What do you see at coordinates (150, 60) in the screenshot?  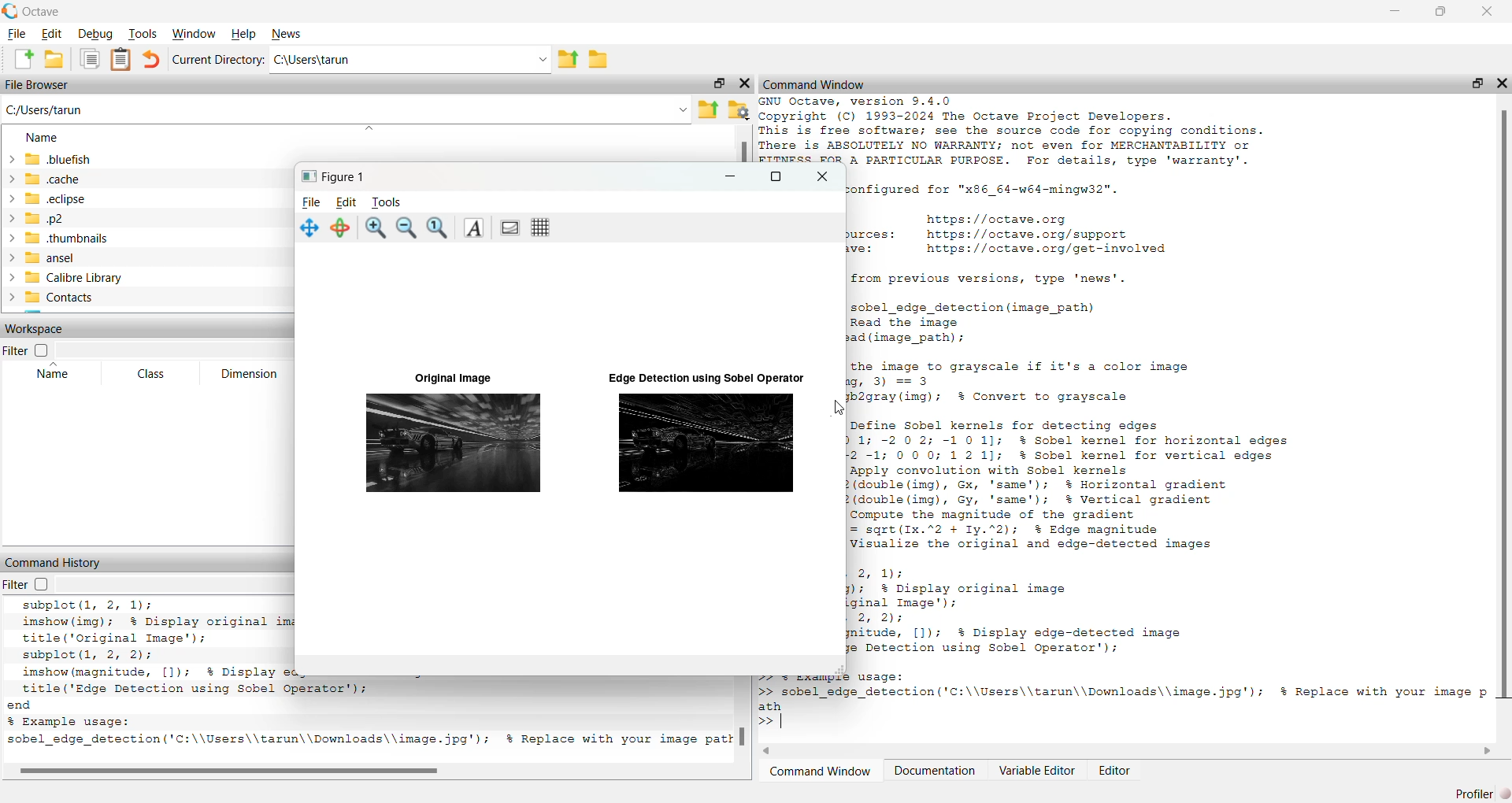 I see `undo` at bounding box center [150, 60].